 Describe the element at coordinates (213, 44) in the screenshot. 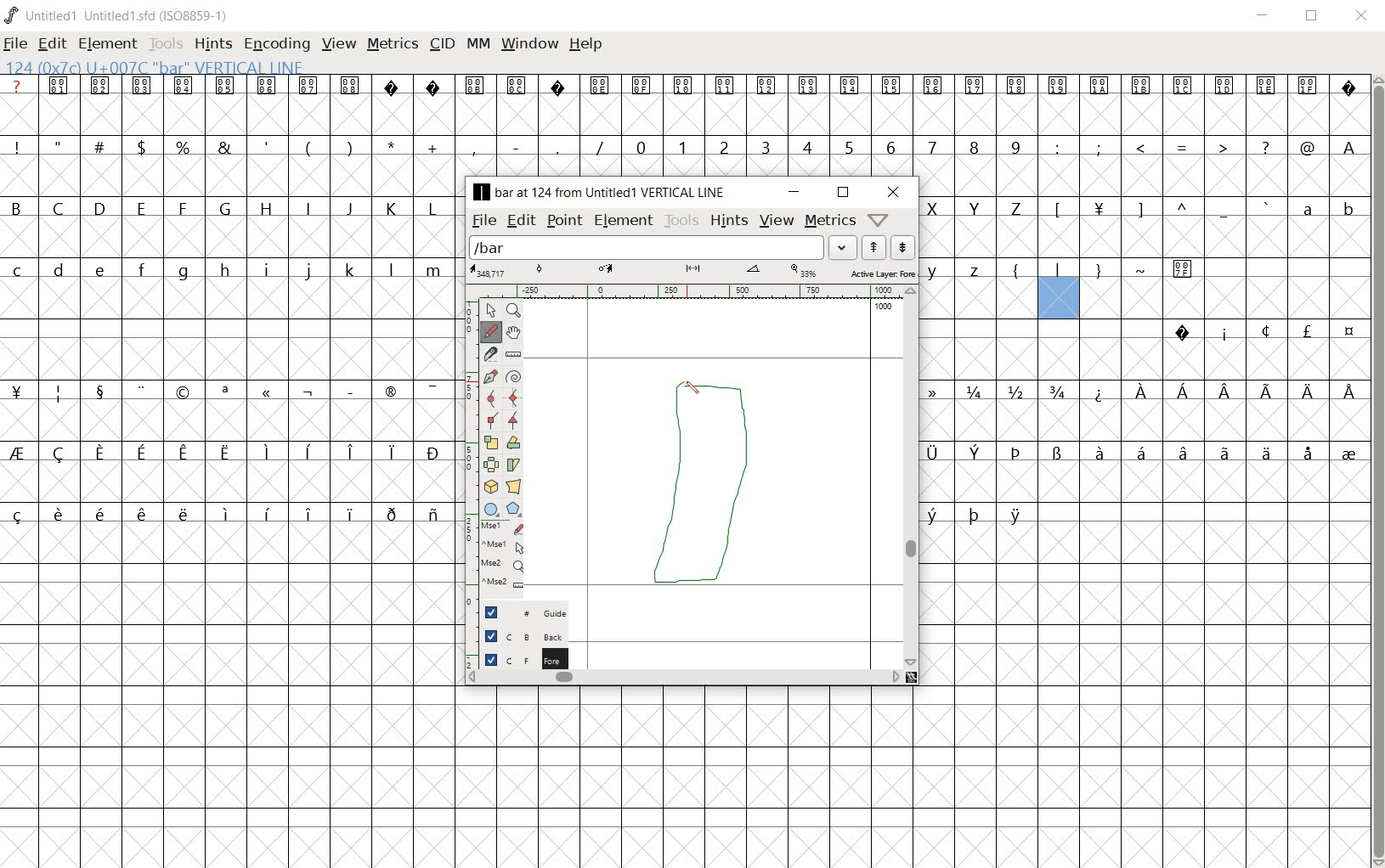

I see `hints` at that location.